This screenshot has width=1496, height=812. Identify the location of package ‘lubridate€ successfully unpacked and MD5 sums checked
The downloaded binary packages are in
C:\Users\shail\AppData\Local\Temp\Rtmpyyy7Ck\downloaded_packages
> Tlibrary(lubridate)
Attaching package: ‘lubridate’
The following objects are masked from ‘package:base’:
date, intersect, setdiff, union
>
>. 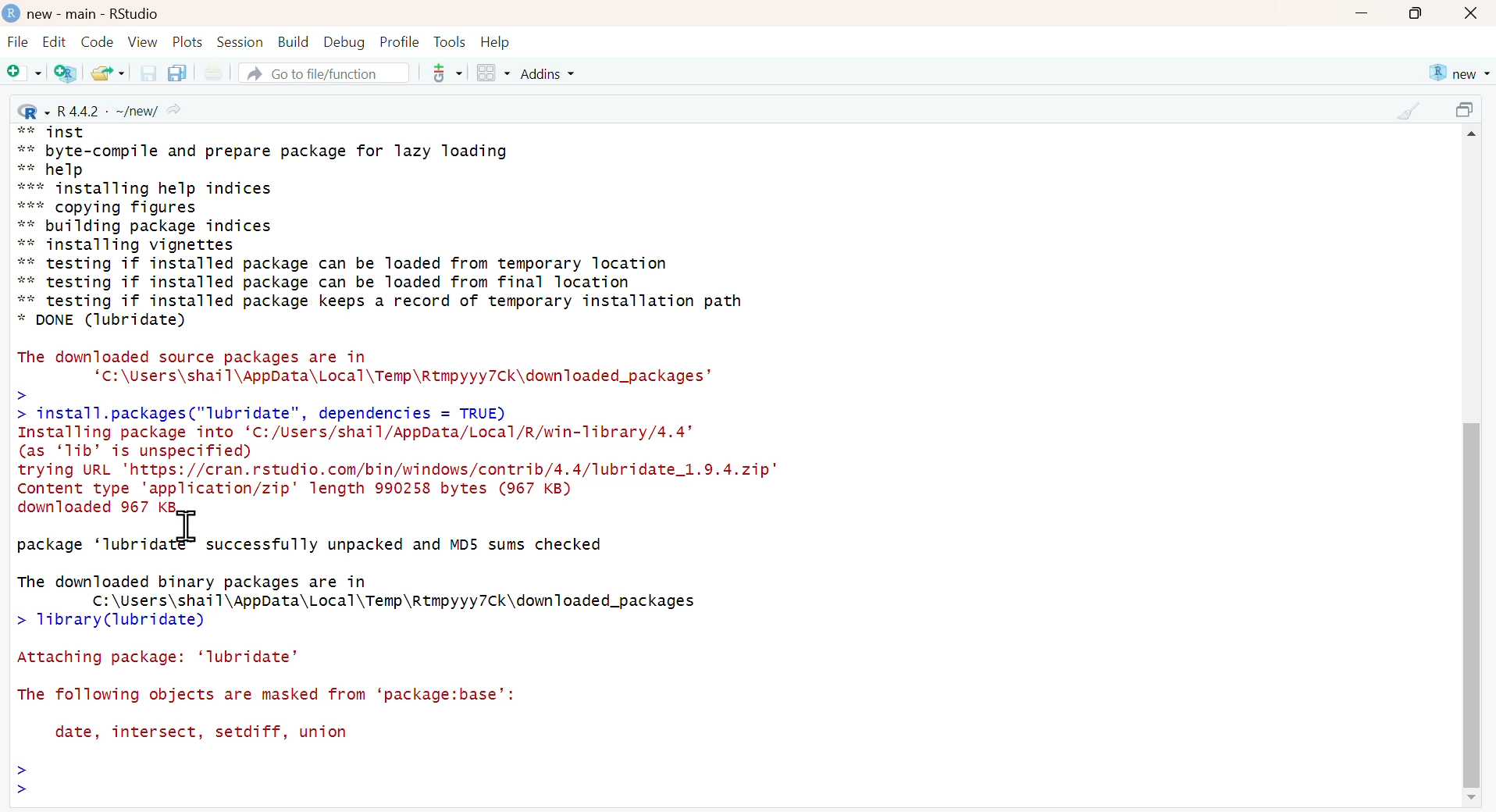
(369, 670).